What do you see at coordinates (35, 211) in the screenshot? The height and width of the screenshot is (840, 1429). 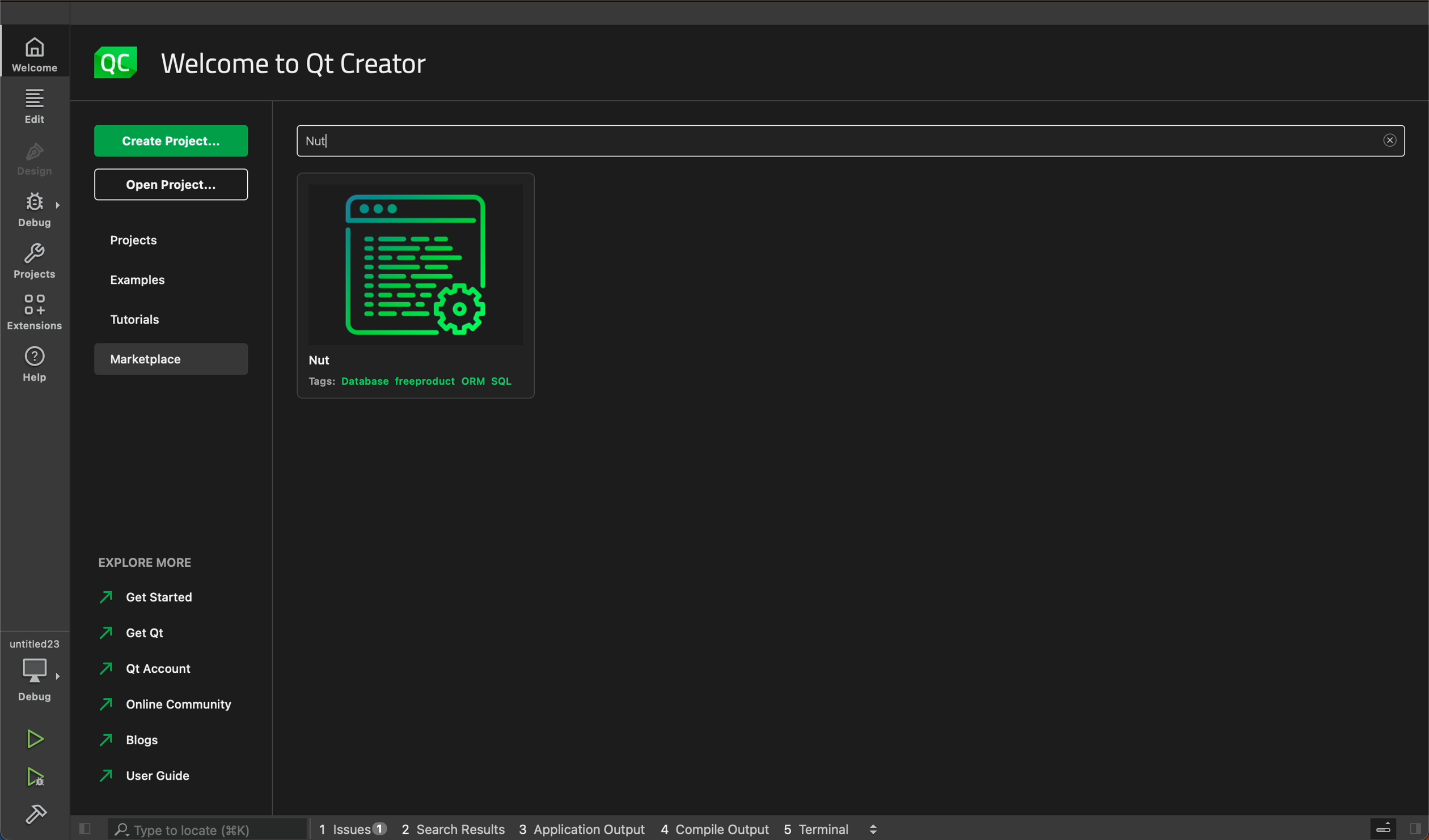 I see `debug` at bounding box center [35, 211].